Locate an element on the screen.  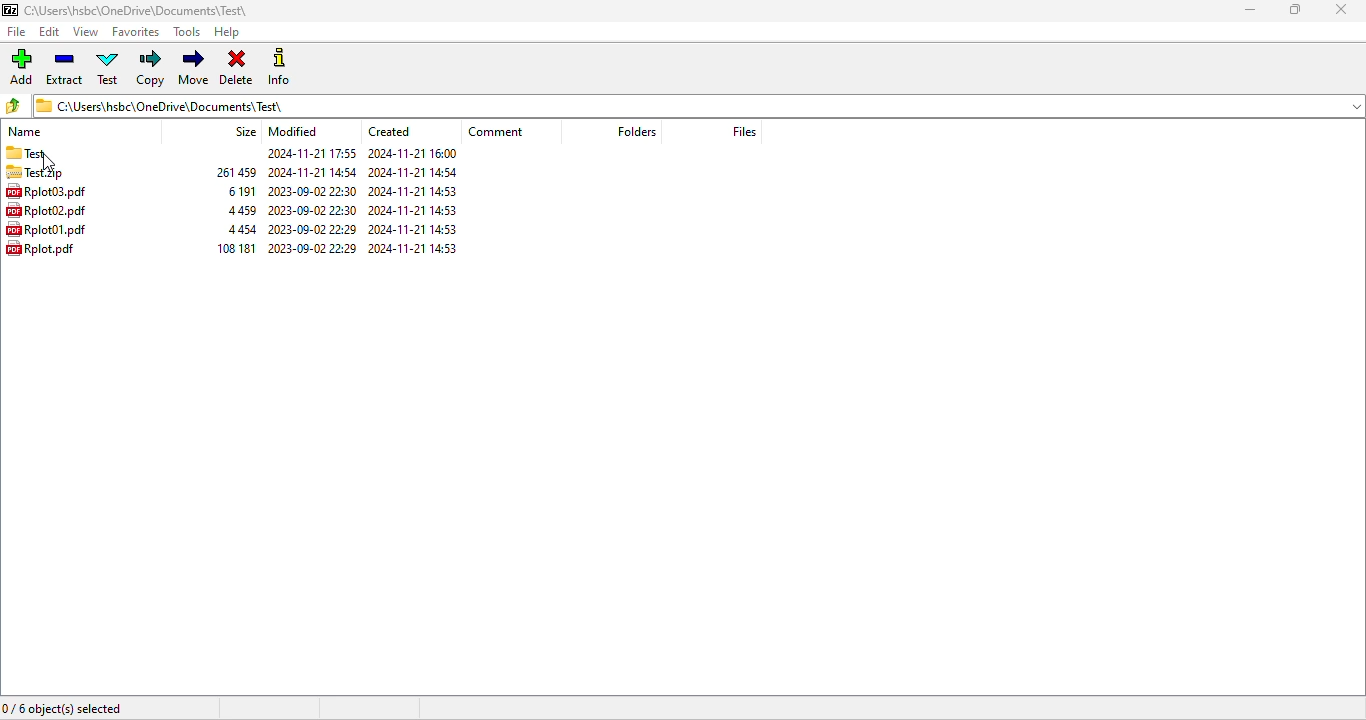
info is located at coordinates (279, 67).